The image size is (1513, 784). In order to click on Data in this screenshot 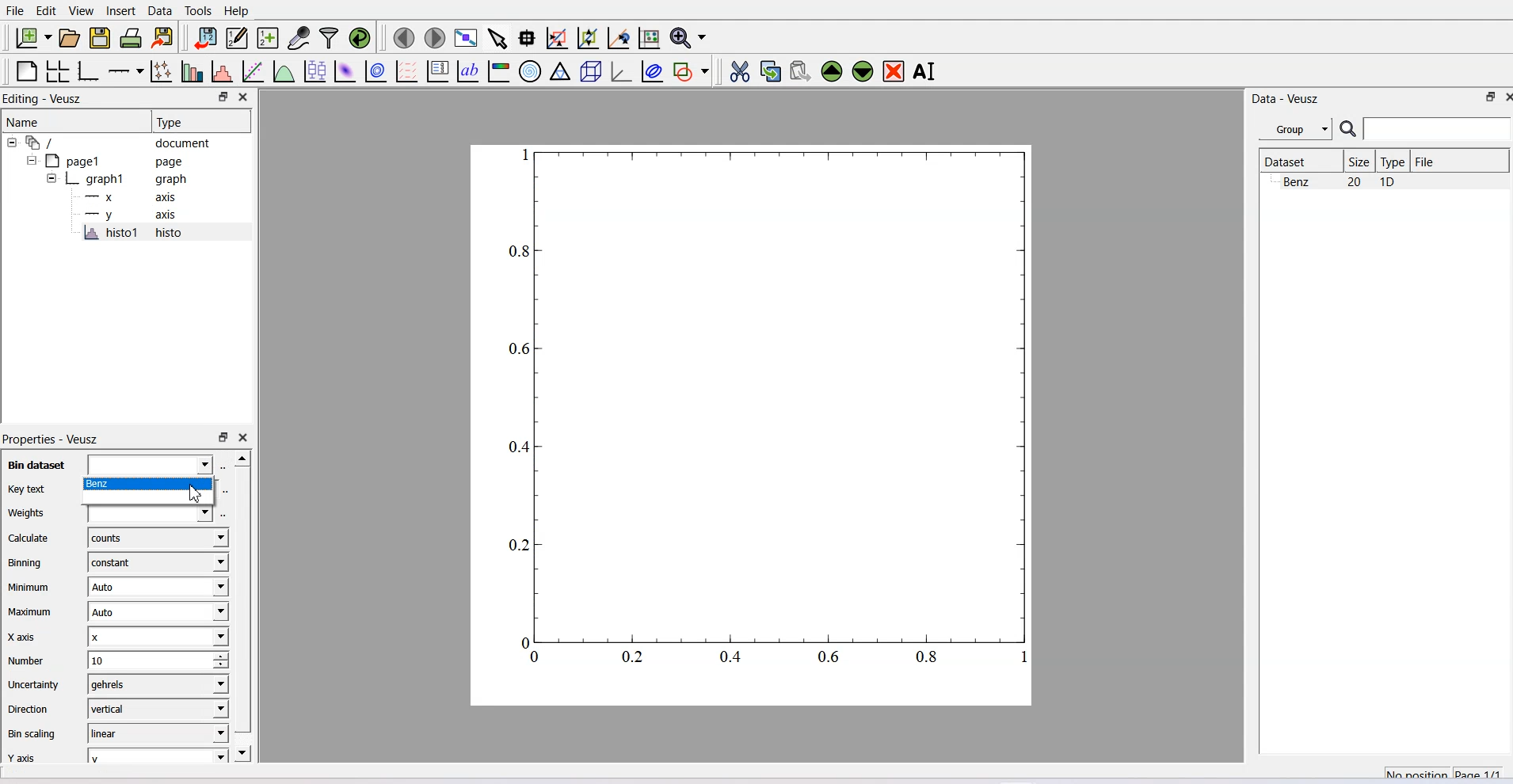, I will do `click(160, 11)`.